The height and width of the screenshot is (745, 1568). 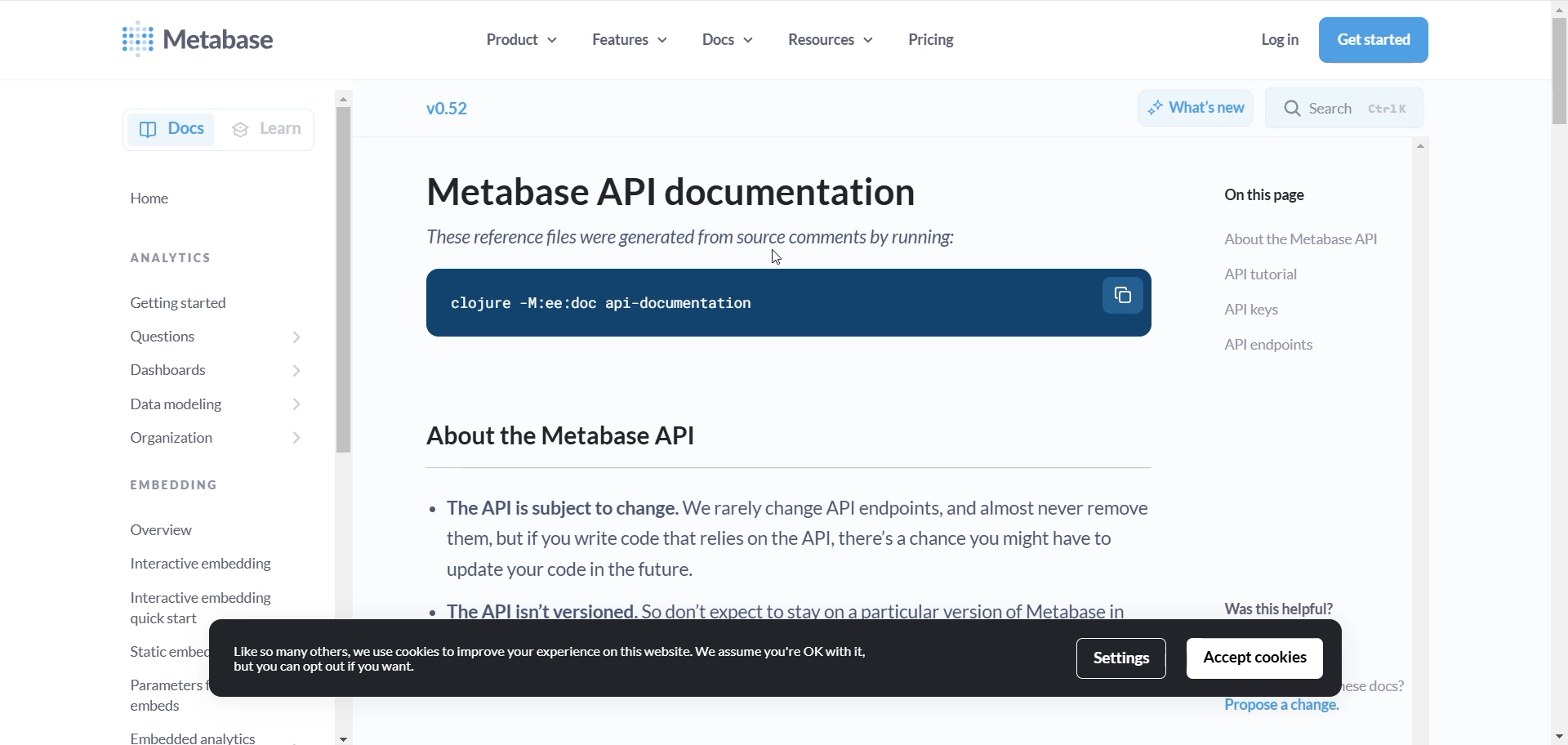 I want to click on log in, so click(x=1273, y=41).